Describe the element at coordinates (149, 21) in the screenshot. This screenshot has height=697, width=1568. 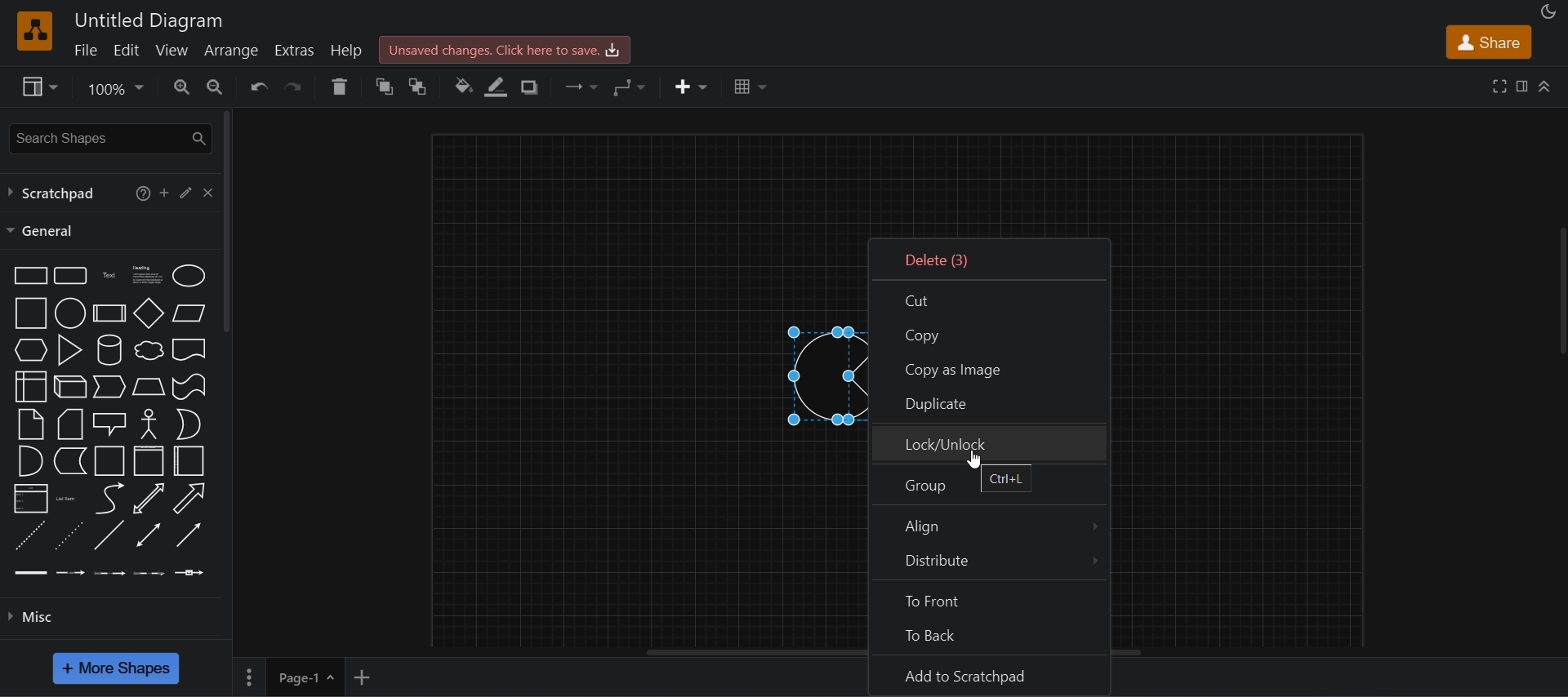
I see `title` at that location.